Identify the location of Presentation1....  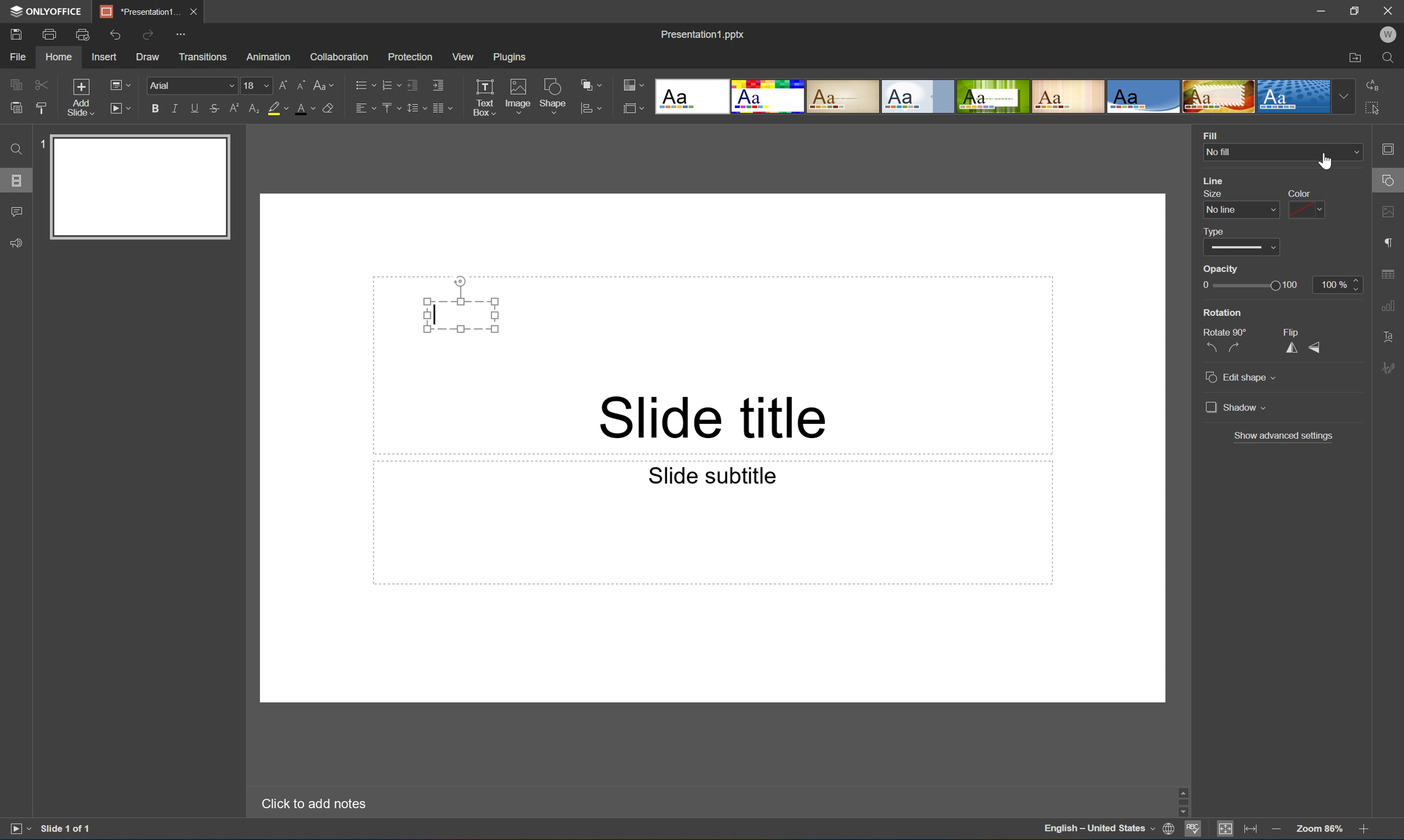
(136, 11).